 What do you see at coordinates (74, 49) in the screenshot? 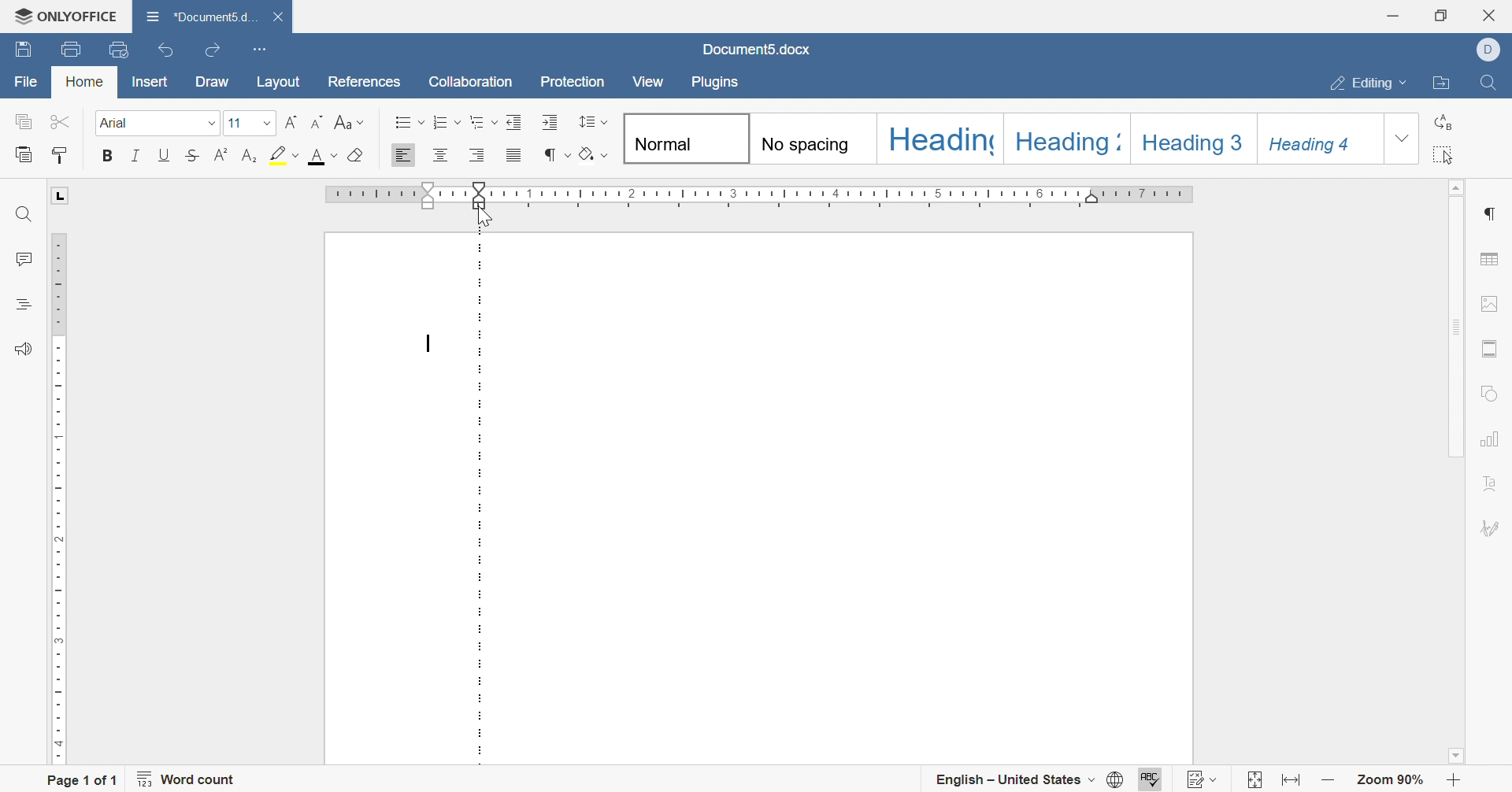
I see `print` at bounding box center [74, 49].